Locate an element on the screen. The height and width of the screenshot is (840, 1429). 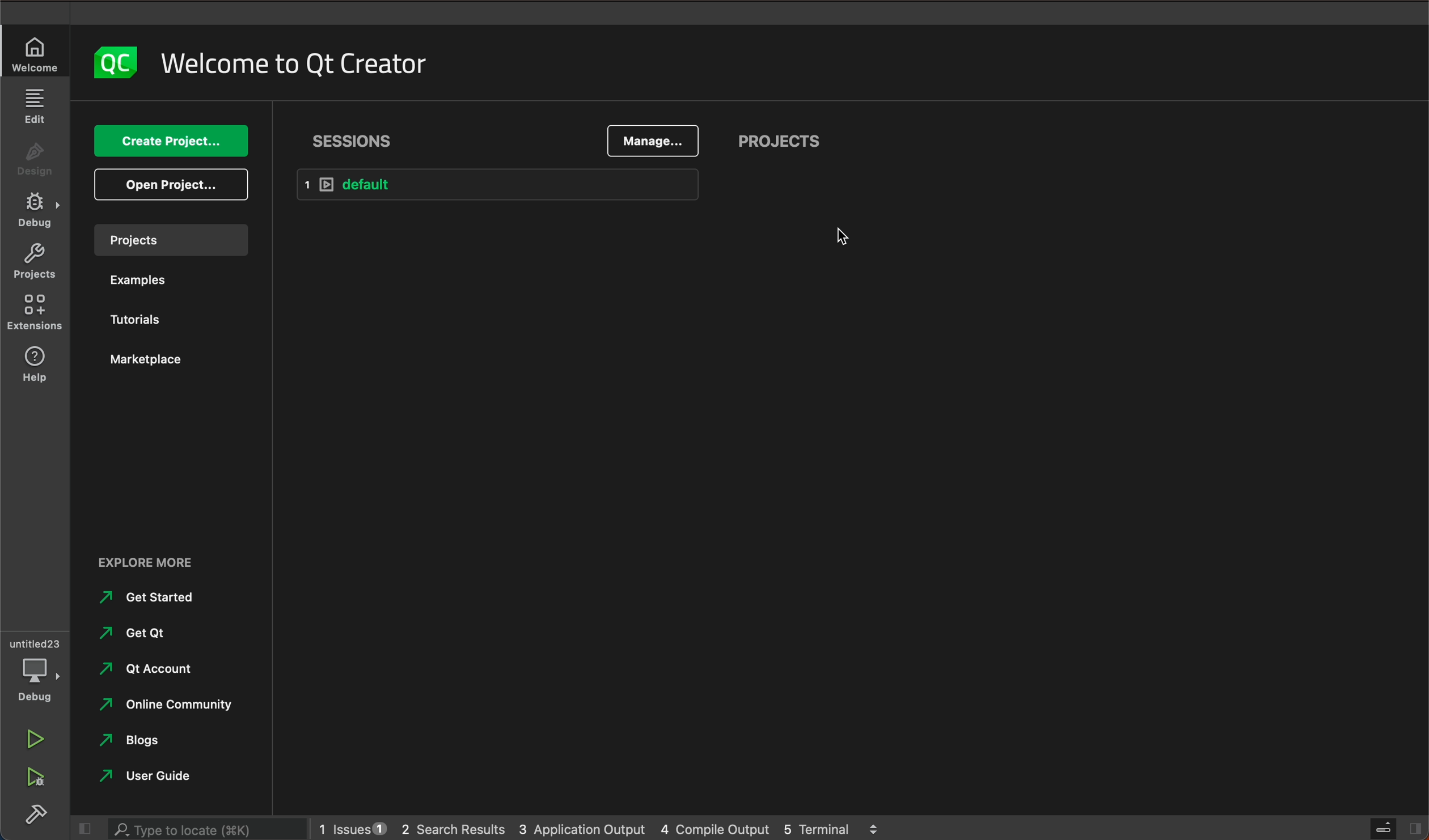
cursor is located at coordinates (848, 237).